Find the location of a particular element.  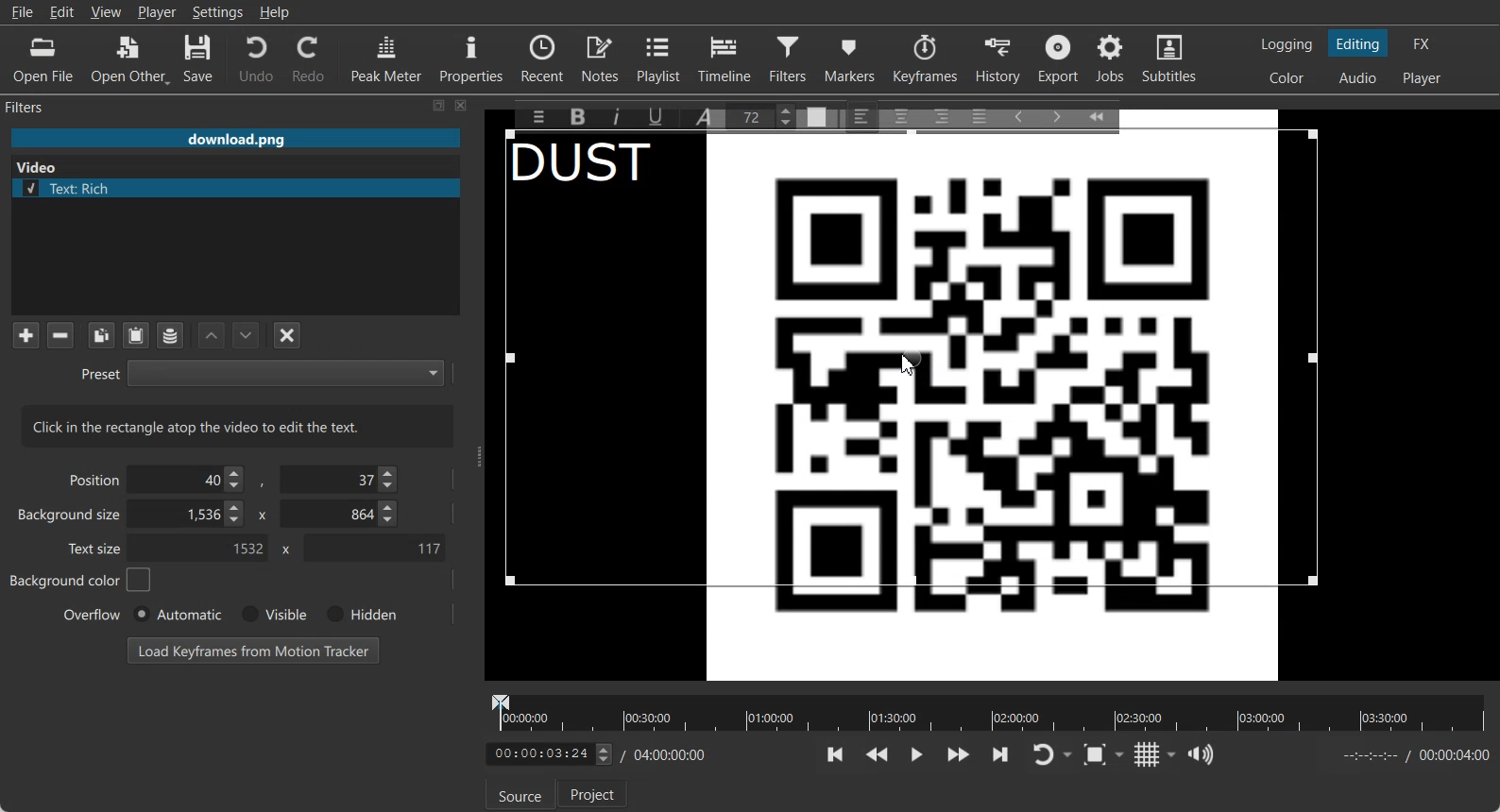

Left is located at coordinates (862, 115).